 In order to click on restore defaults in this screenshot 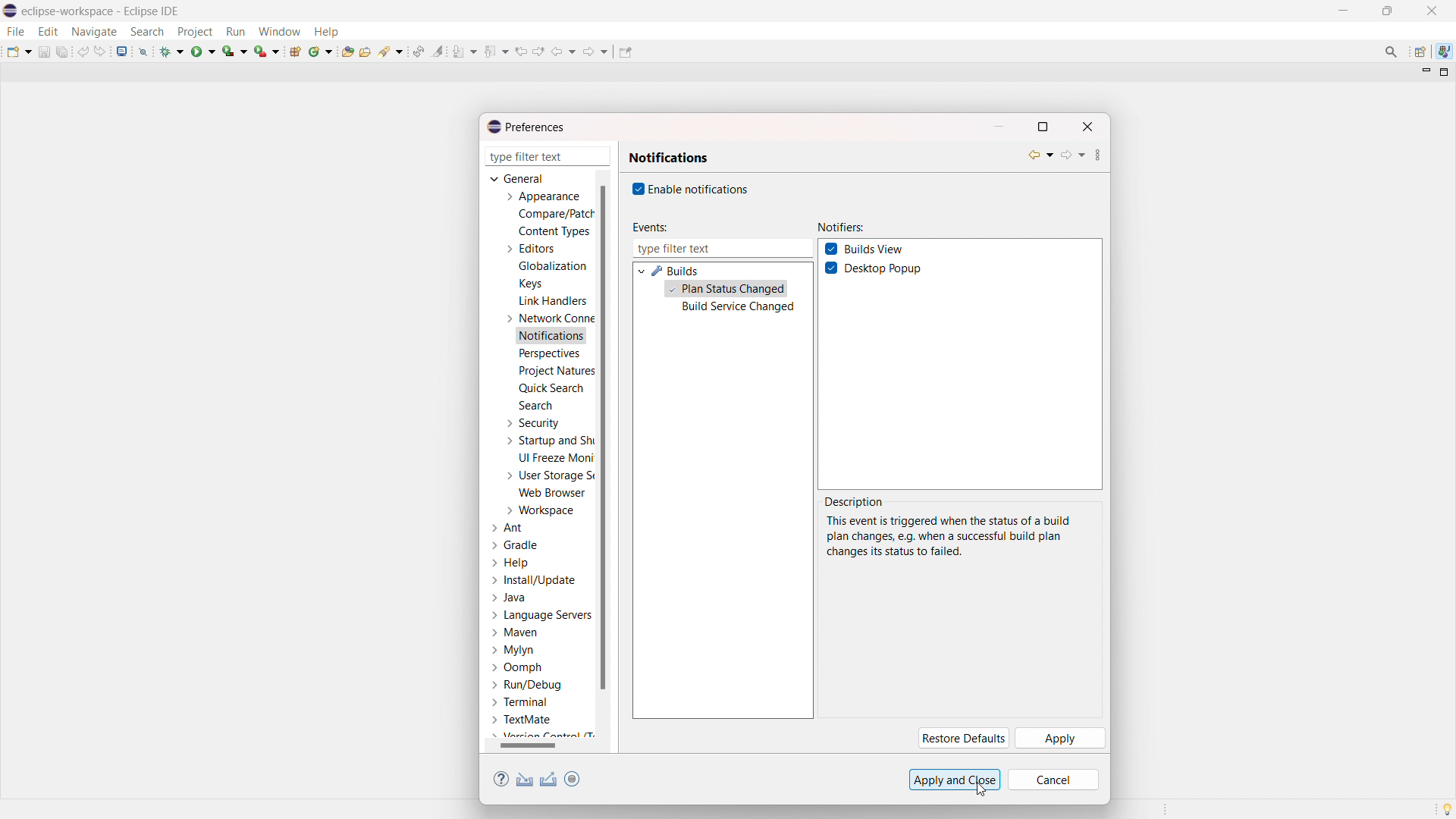, I will do `click(962, 739)`.